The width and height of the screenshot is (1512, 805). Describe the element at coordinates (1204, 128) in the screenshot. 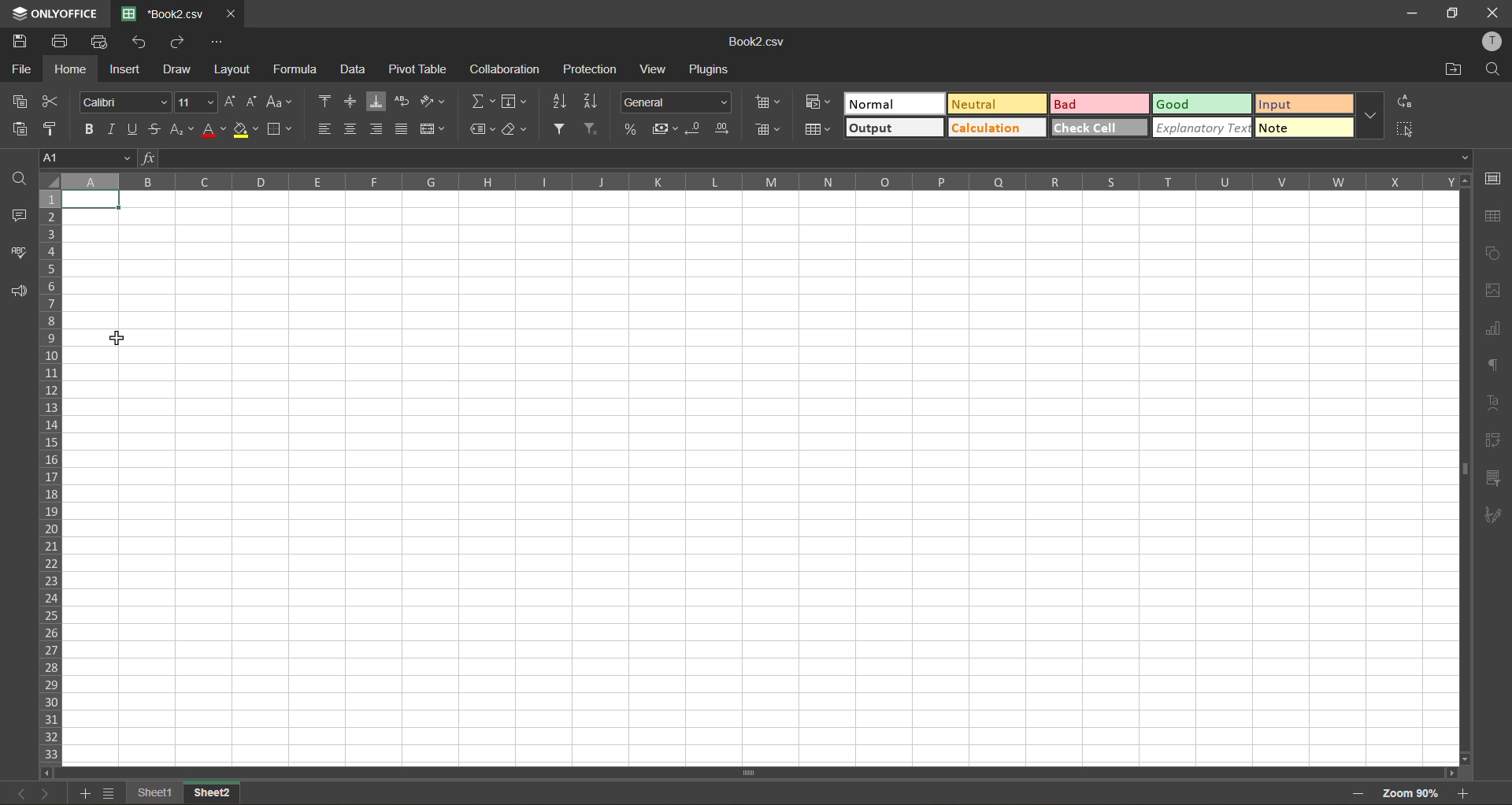

I see `explanatory text` at that location.